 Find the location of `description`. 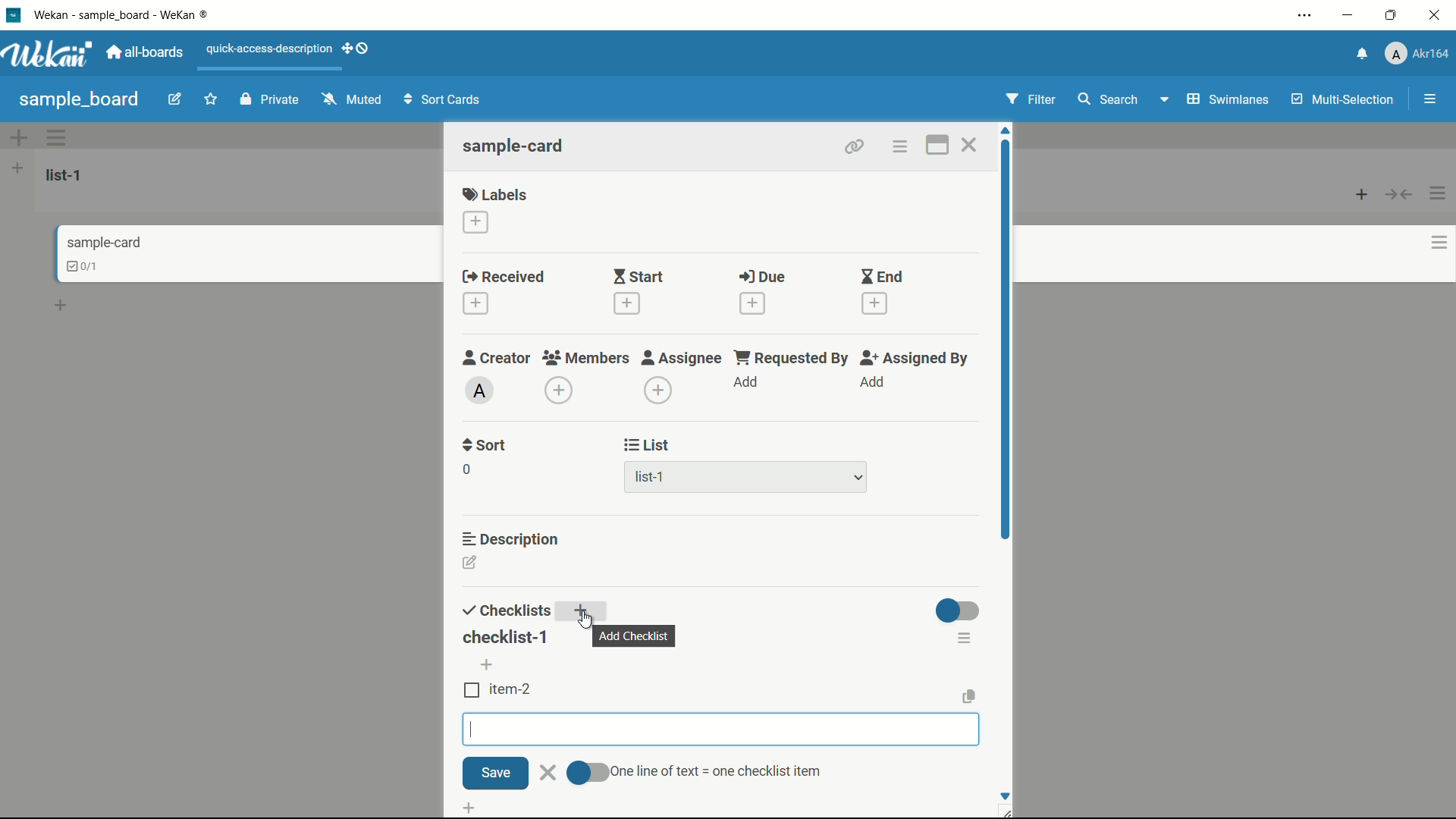

description is located at coordinates (512, 538).